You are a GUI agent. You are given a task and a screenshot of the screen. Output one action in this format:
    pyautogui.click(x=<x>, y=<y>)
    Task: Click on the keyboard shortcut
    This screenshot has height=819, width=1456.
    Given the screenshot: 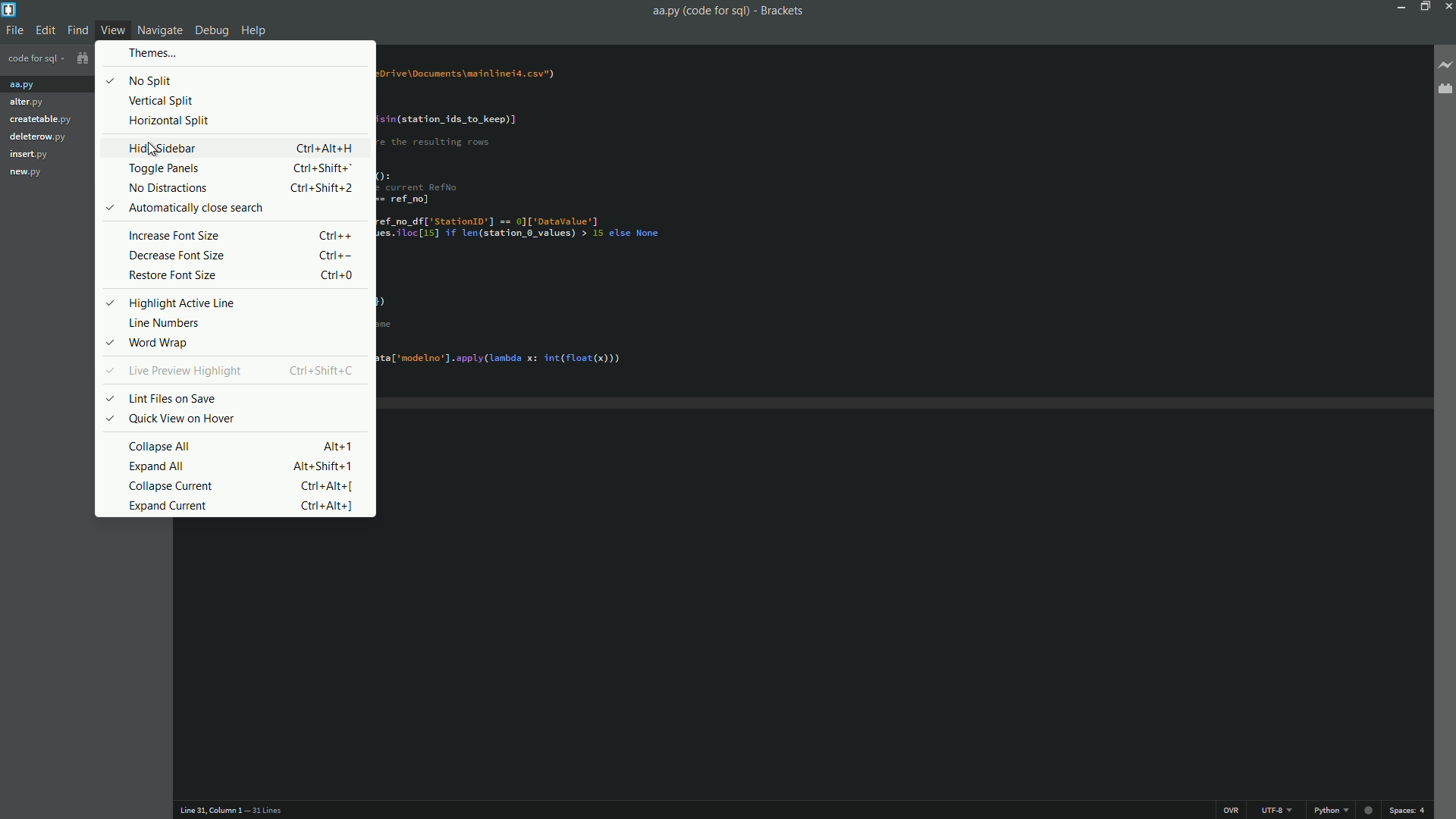 What is the action you would take?
    pyautogui.click(x=336, y=236)
    